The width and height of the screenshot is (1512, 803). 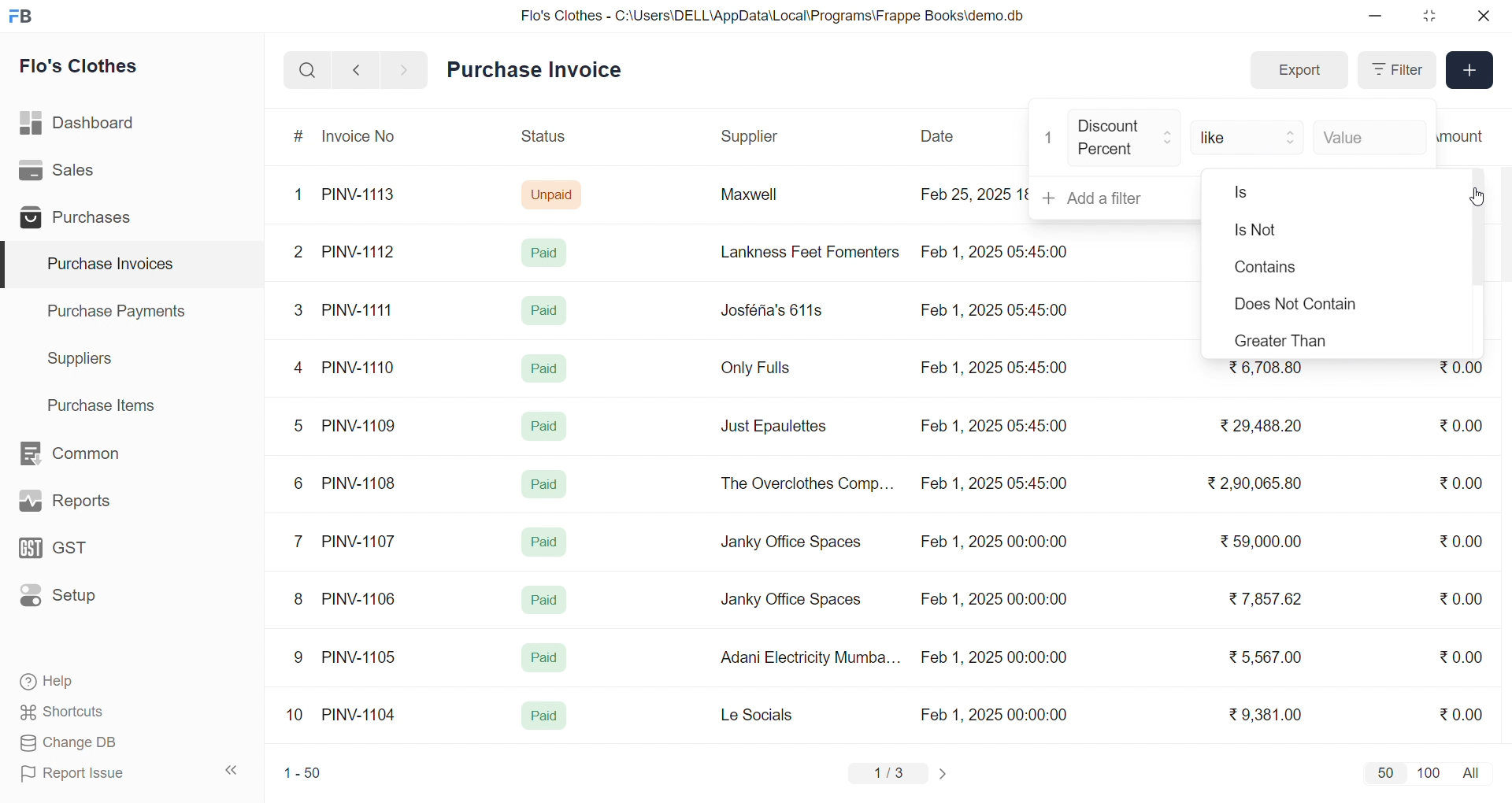 What do you see at coordinates (994, 657) in the screenshot?
I see `Feb 1, 2025 00:00:00` at bounding box center [994, 657].